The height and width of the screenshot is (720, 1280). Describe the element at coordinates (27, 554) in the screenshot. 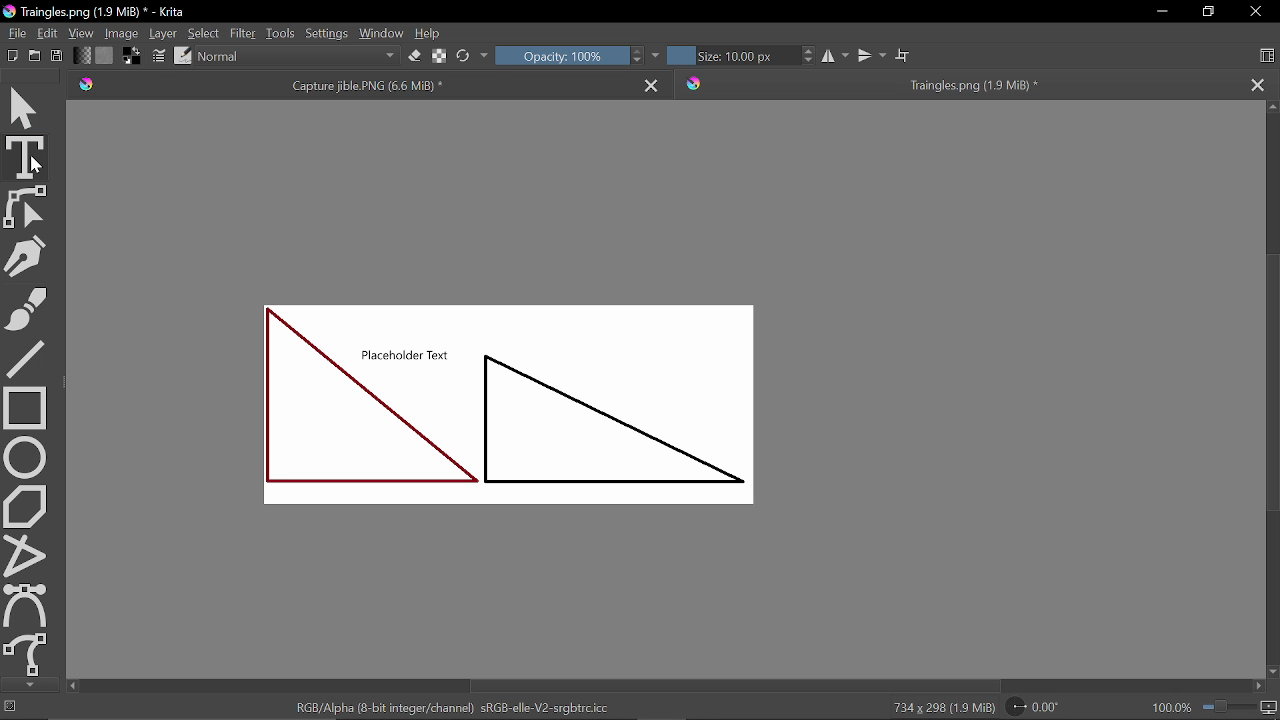

I see `polyline tool` at that location.